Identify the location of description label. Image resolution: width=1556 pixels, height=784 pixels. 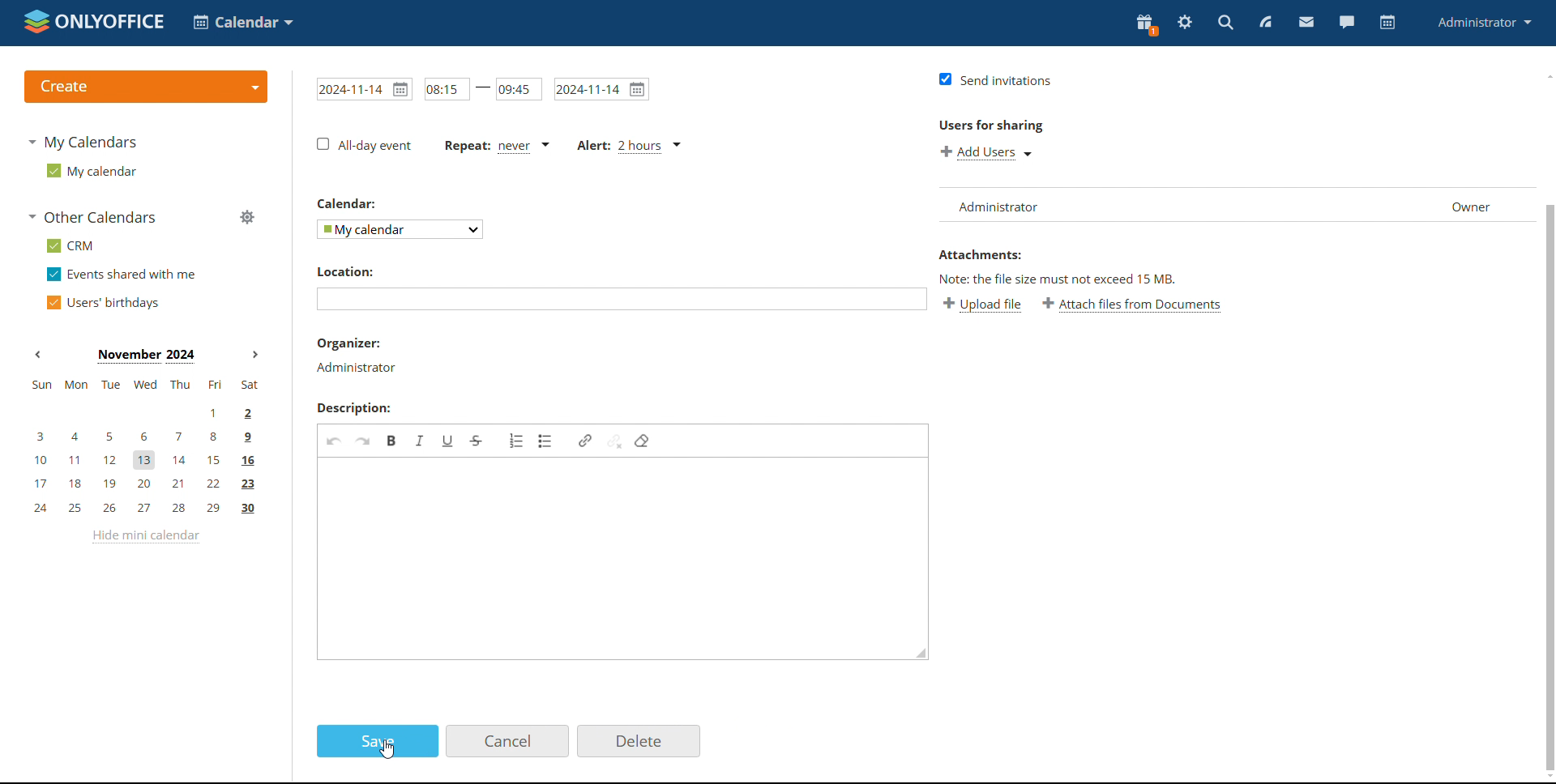
(356, 407).